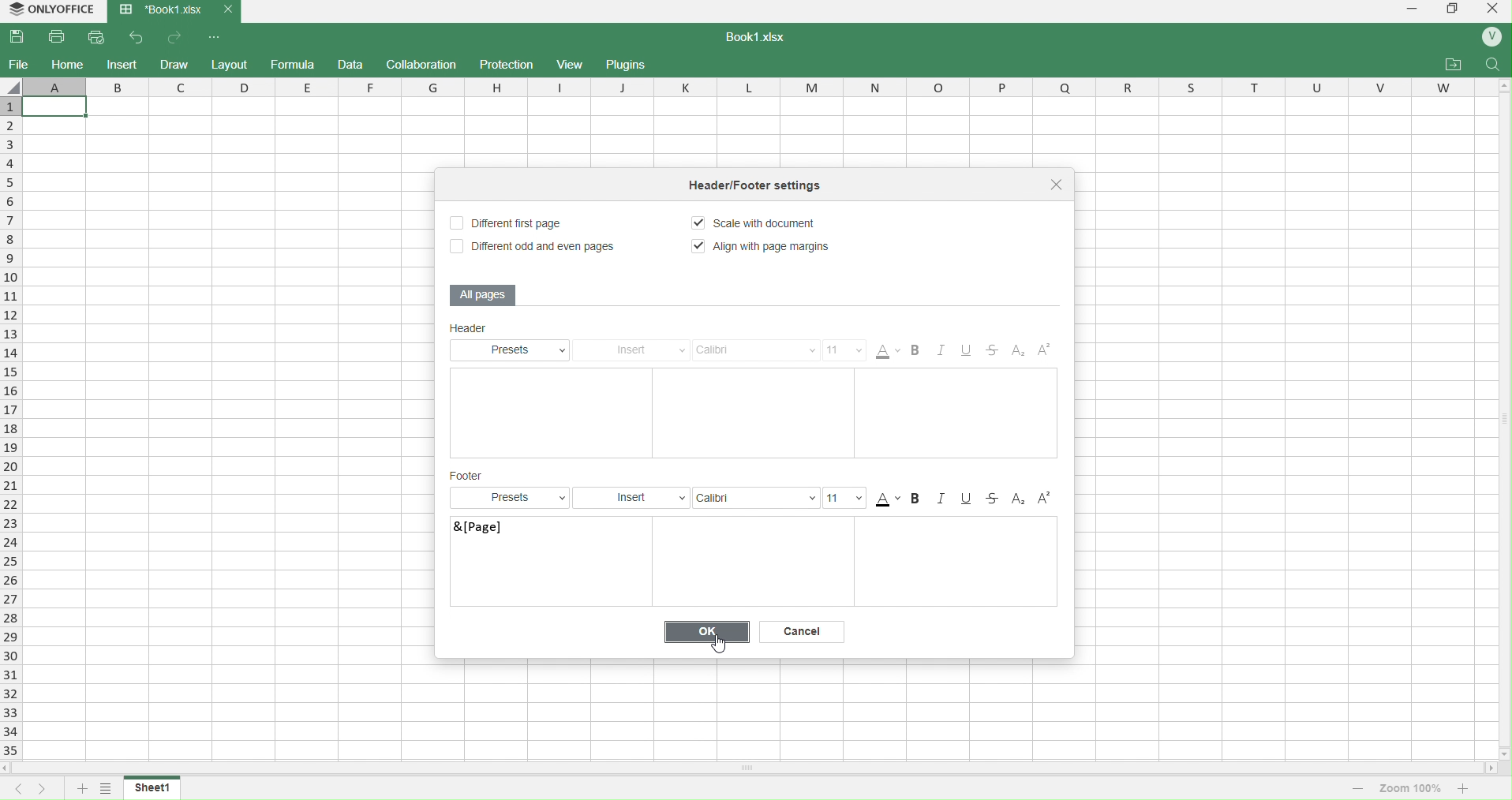 The width and height of the screenshot is (1512, 800). What do you see at coordinates (105, 790) in the screenshot?
I see `options` at bounding box center [105, 790].